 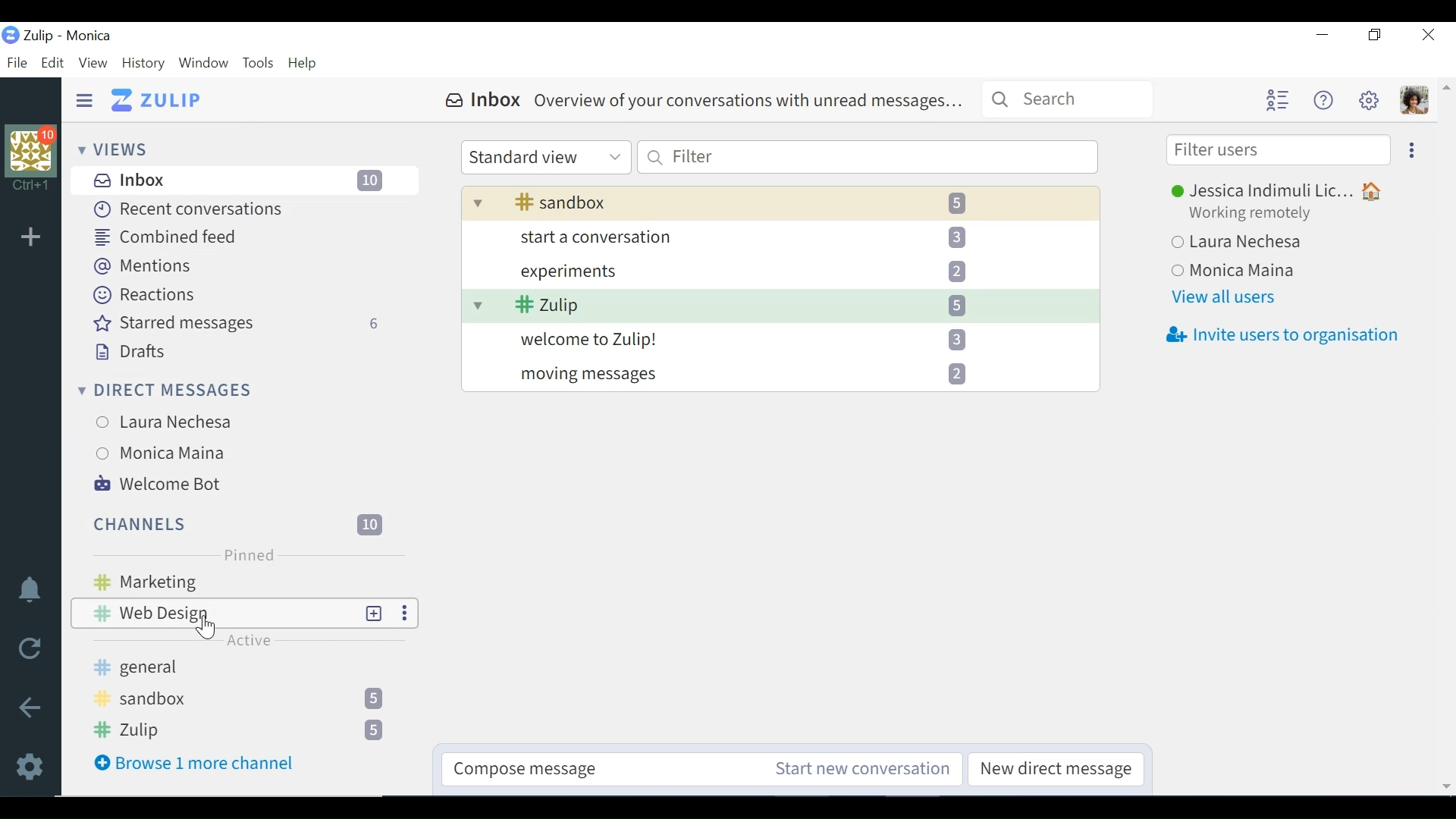 I want to click on Zulip - Monica, so click(x=69, y=35).